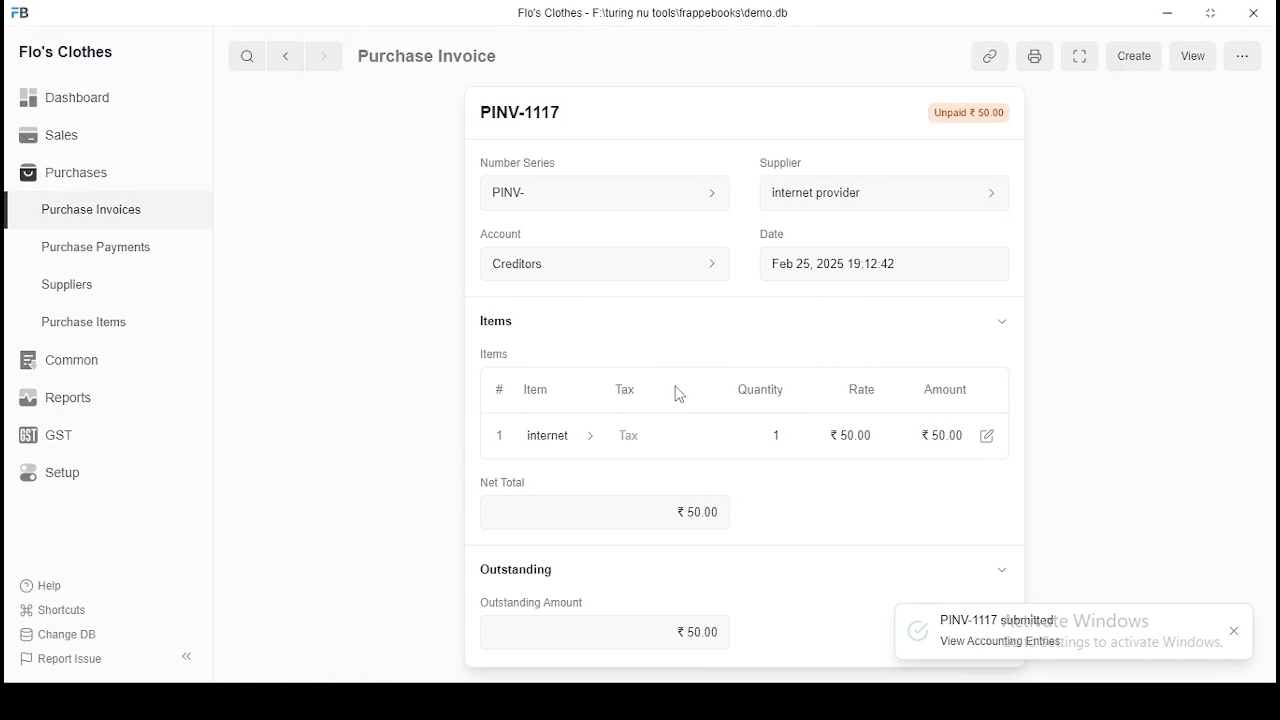 Image resolution: width=1280 pixels, height=720 pixels. What do you see at coordinates (927, 436) in the screenshot?
I see `0.00` at bounding box center [927, 436].